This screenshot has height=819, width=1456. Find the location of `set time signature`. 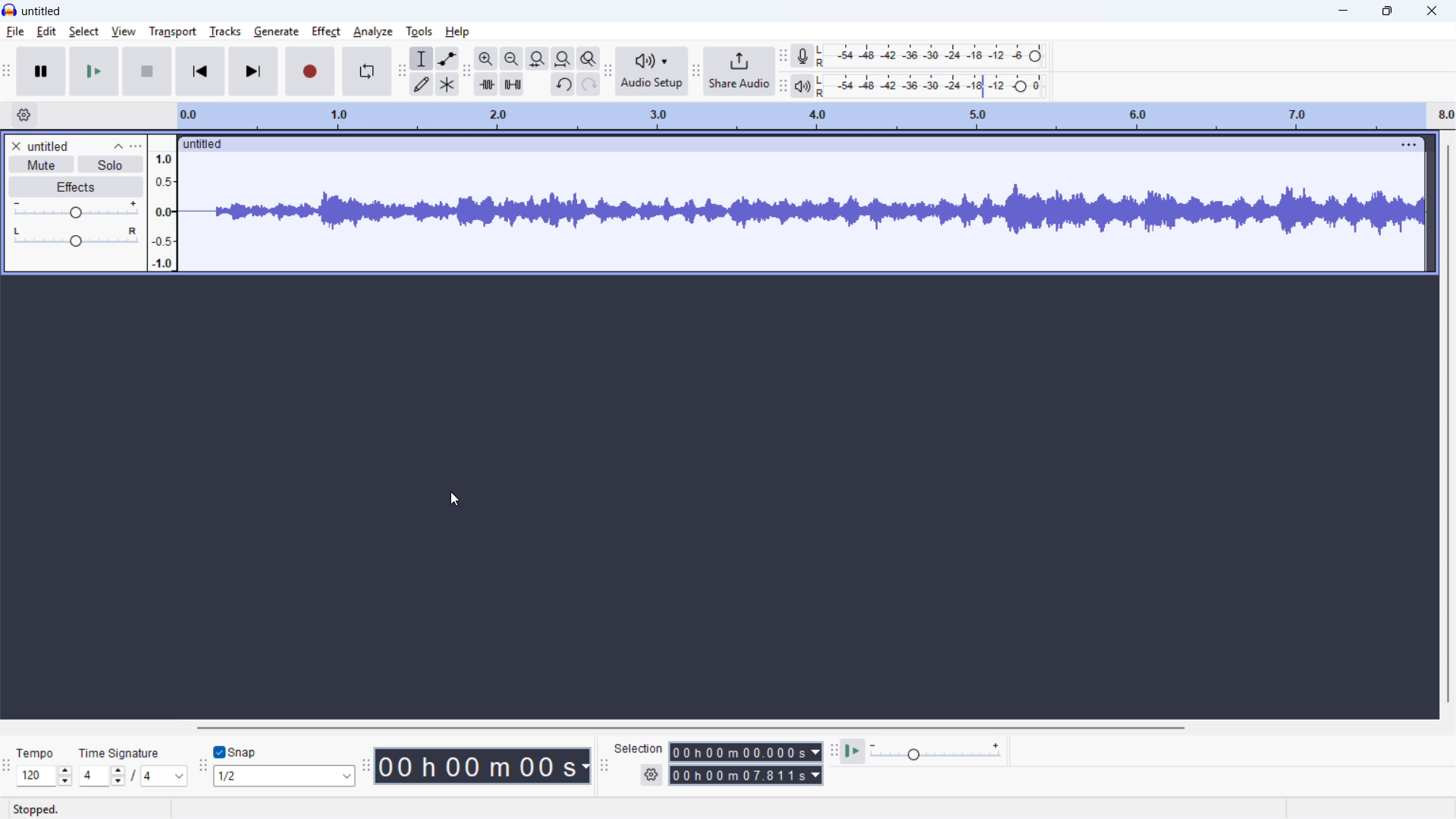

set time signature is located at coordinates (133, 776).